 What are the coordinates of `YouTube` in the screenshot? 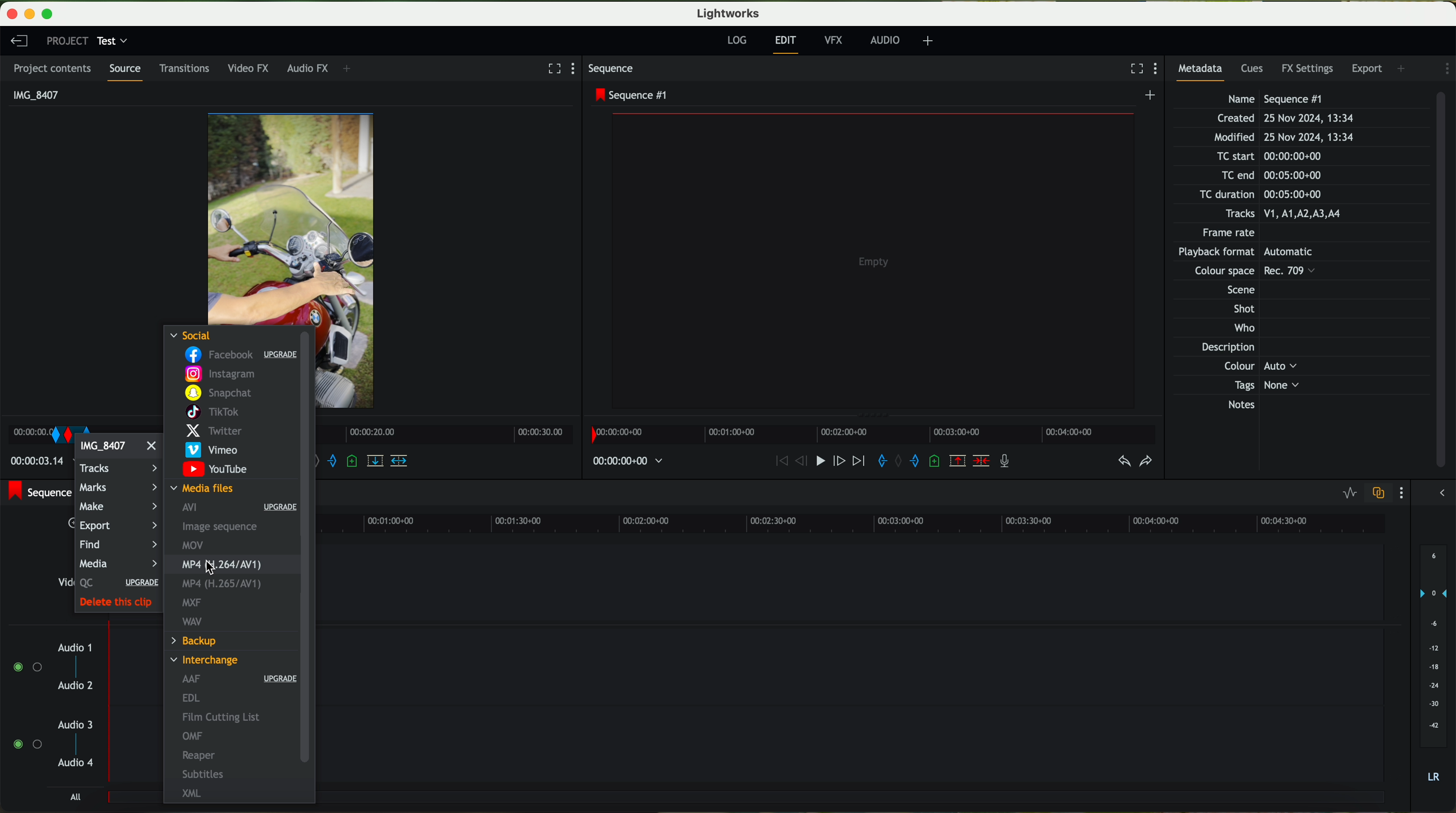 It's located at (215, 470).